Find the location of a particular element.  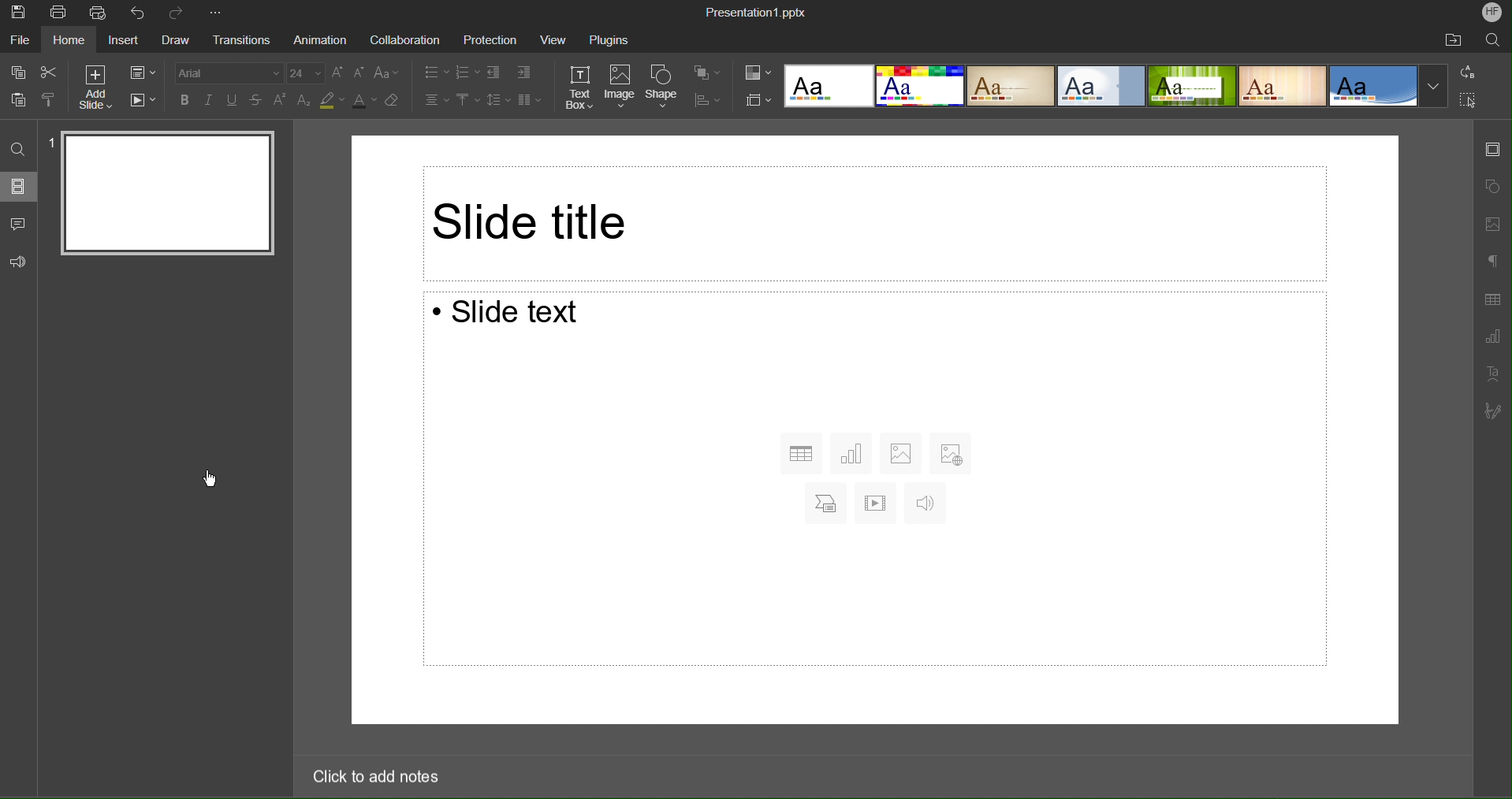

scroll bar is located at coordinates (1465, 426).